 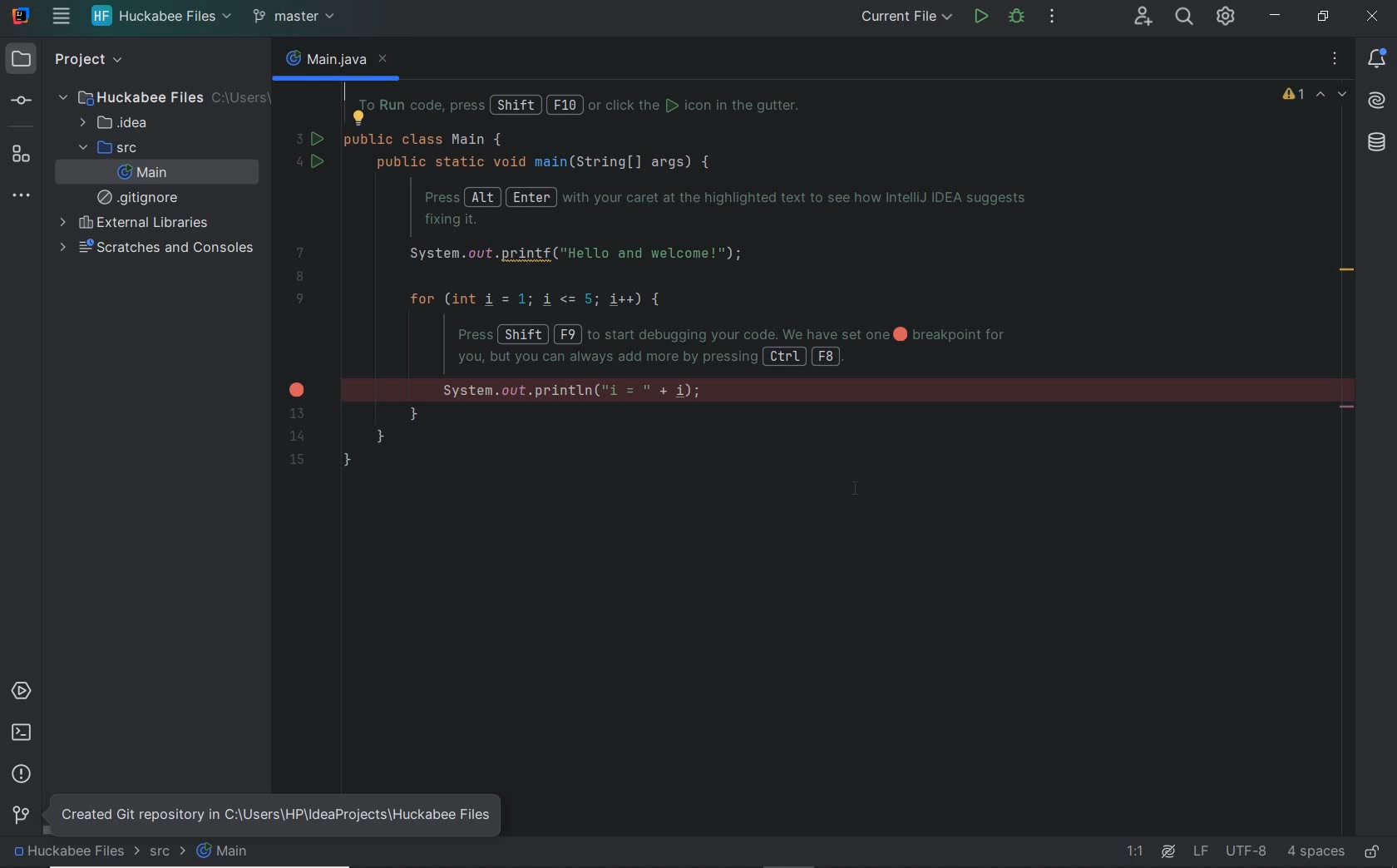 I want to click on problems, so click(x=22, y=772).